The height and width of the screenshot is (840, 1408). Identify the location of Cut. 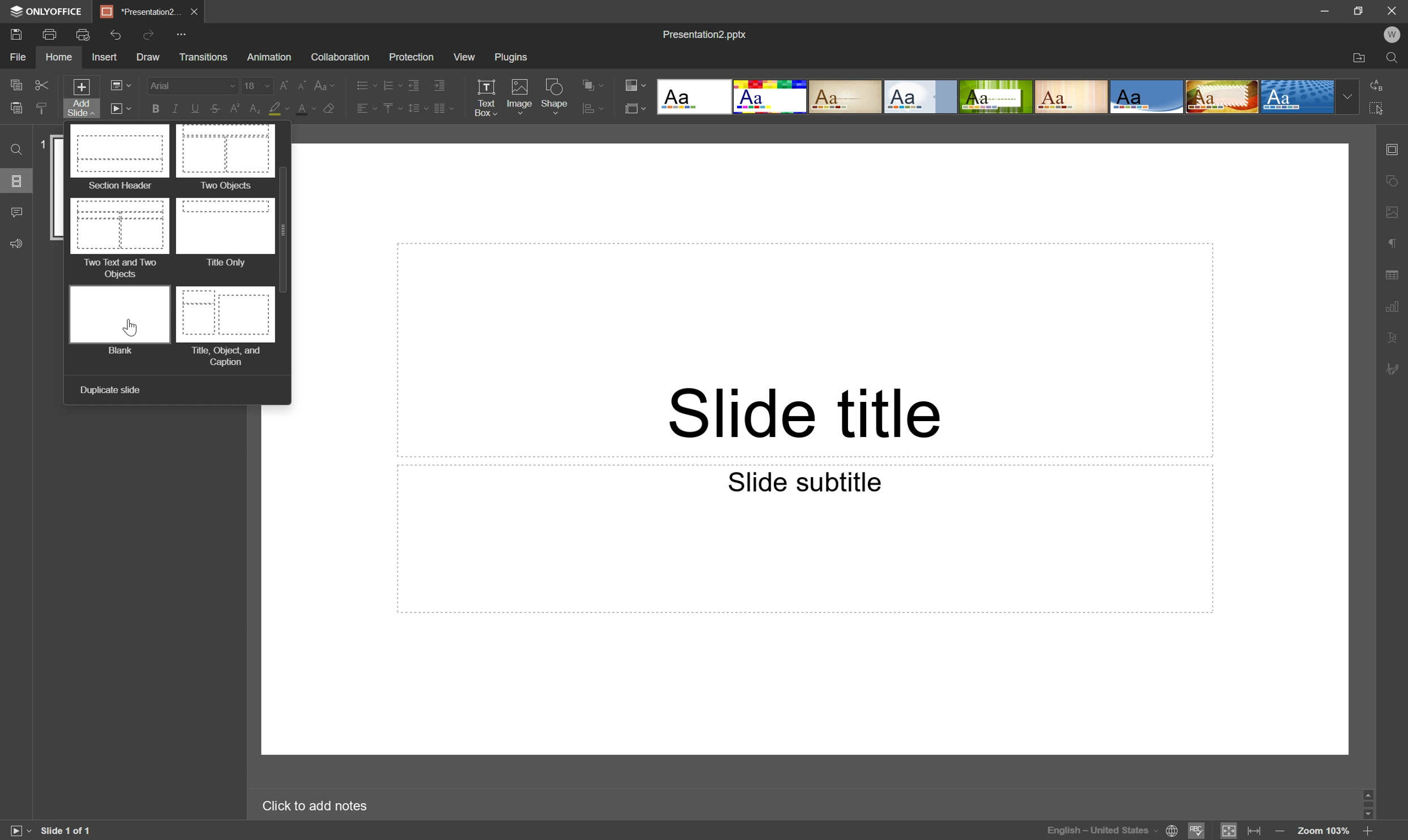
(42, 85).